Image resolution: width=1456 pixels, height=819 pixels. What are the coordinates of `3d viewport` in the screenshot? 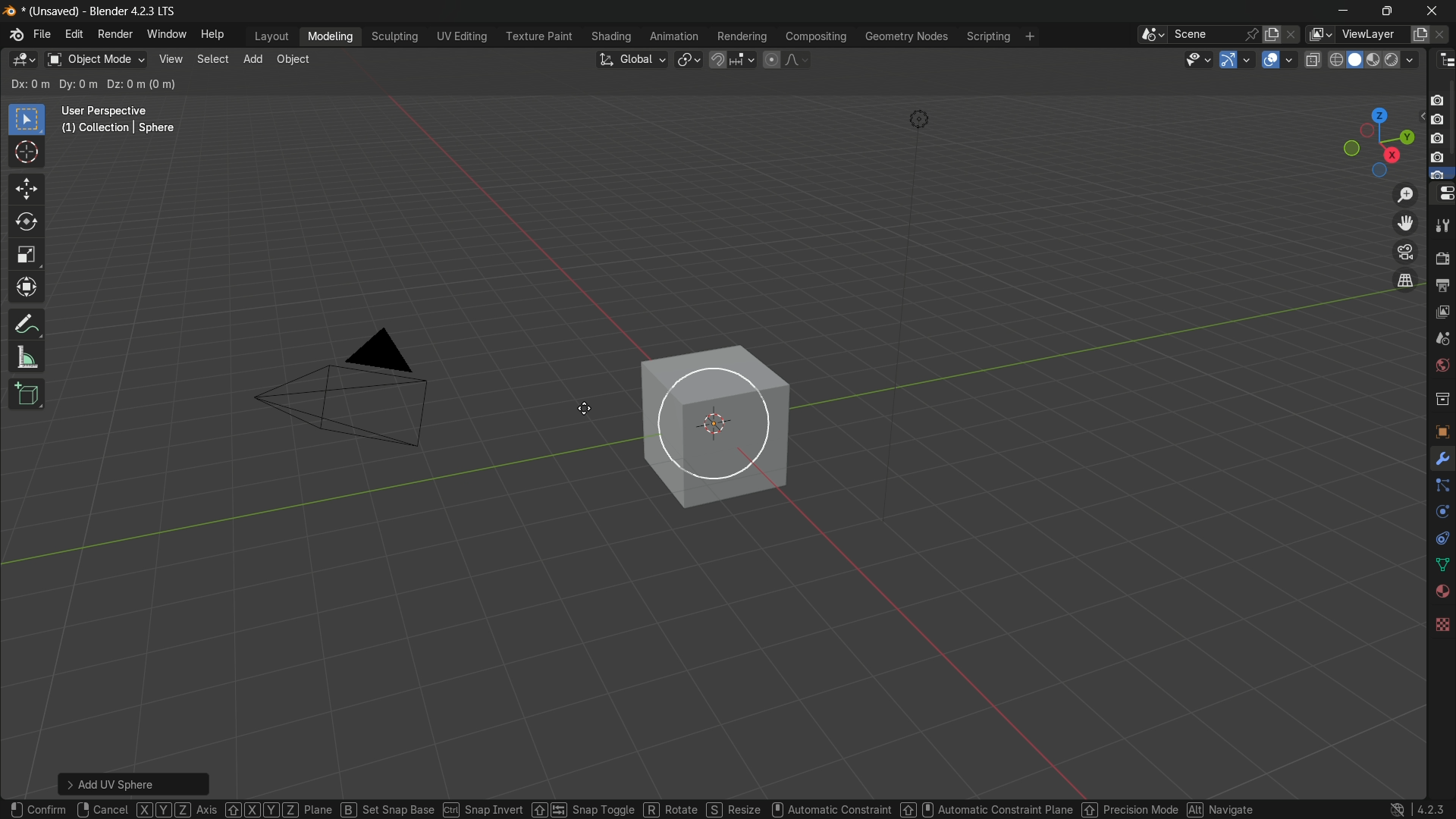 It's located at (20, 60).